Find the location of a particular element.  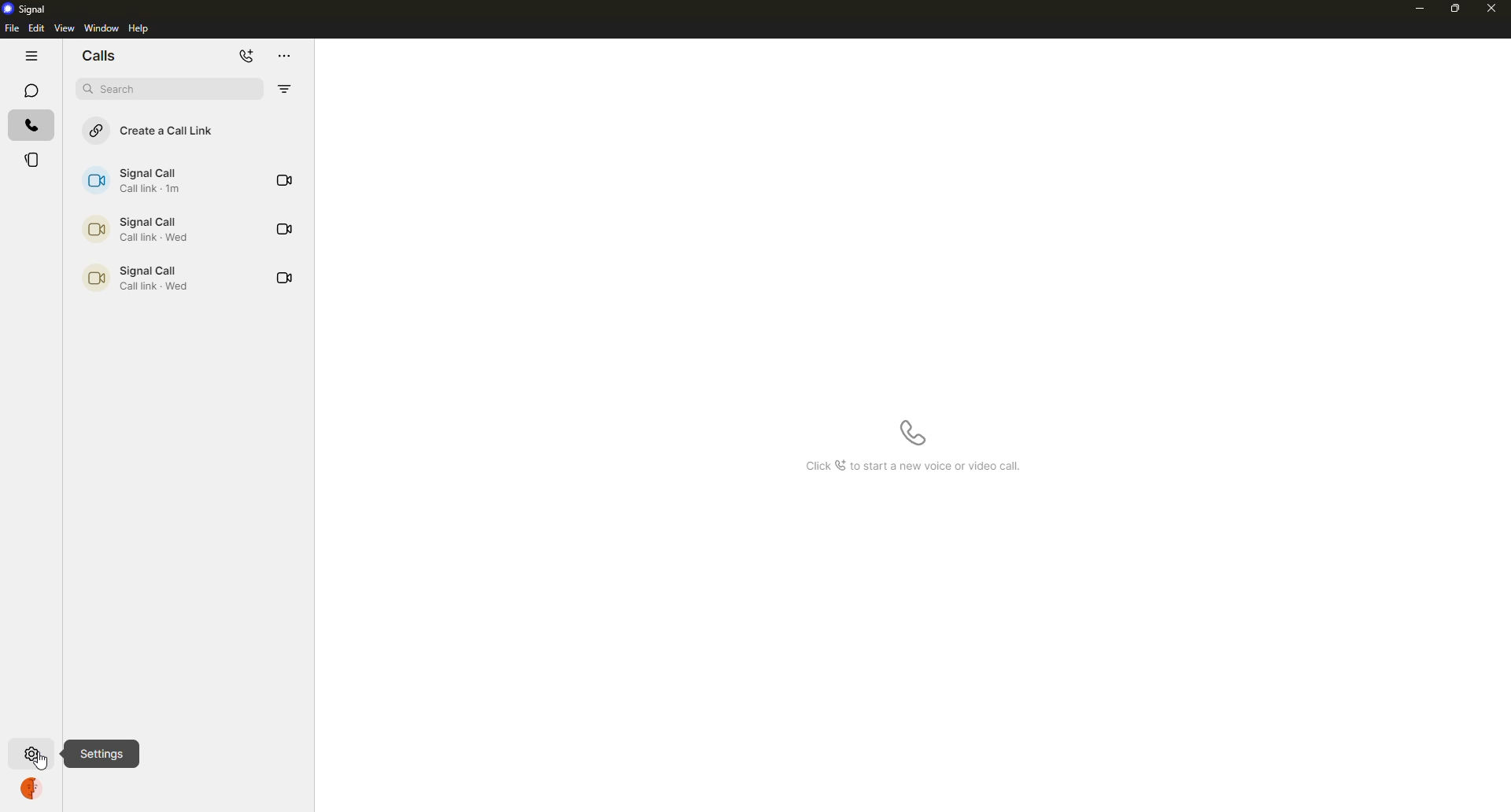

info is located at coordinates (913, 467).